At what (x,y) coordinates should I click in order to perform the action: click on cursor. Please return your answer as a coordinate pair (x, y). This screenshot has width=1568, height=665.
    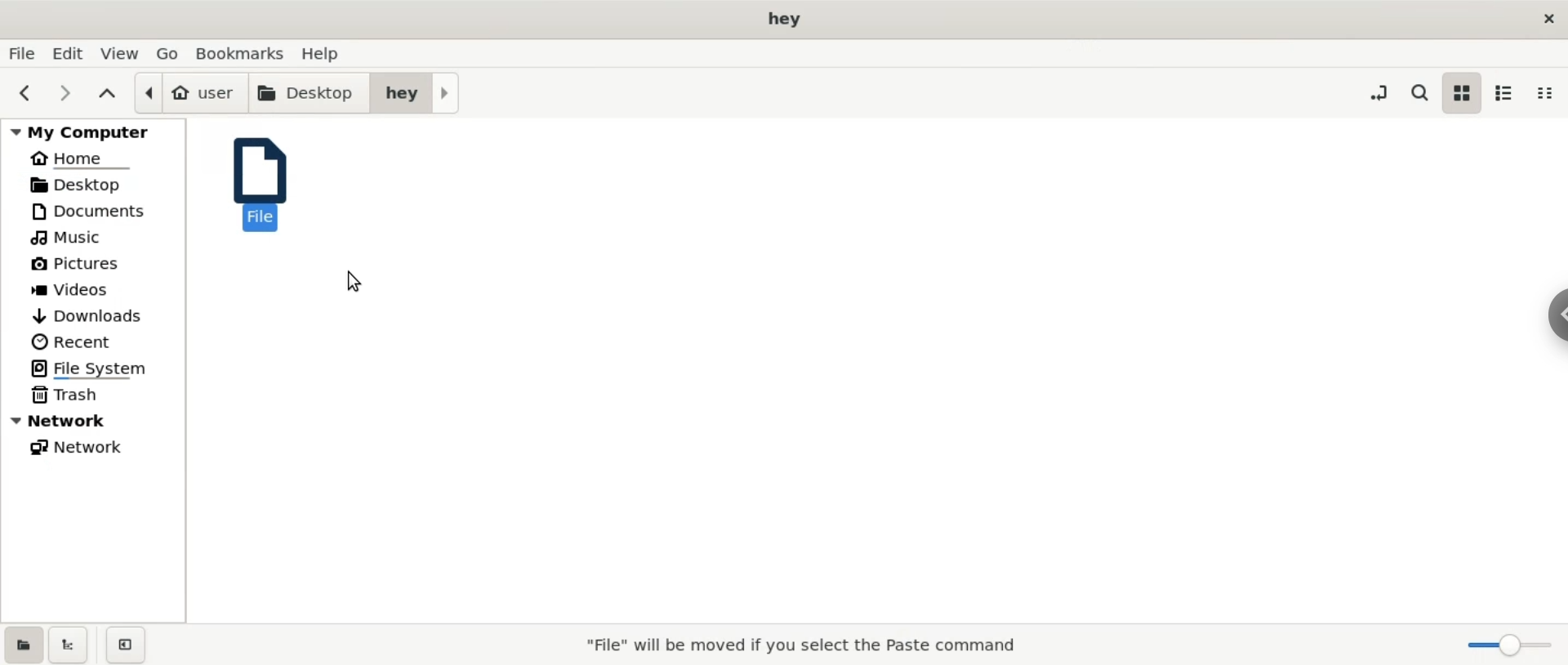
    Looking at the image, I should click on (353, 282).